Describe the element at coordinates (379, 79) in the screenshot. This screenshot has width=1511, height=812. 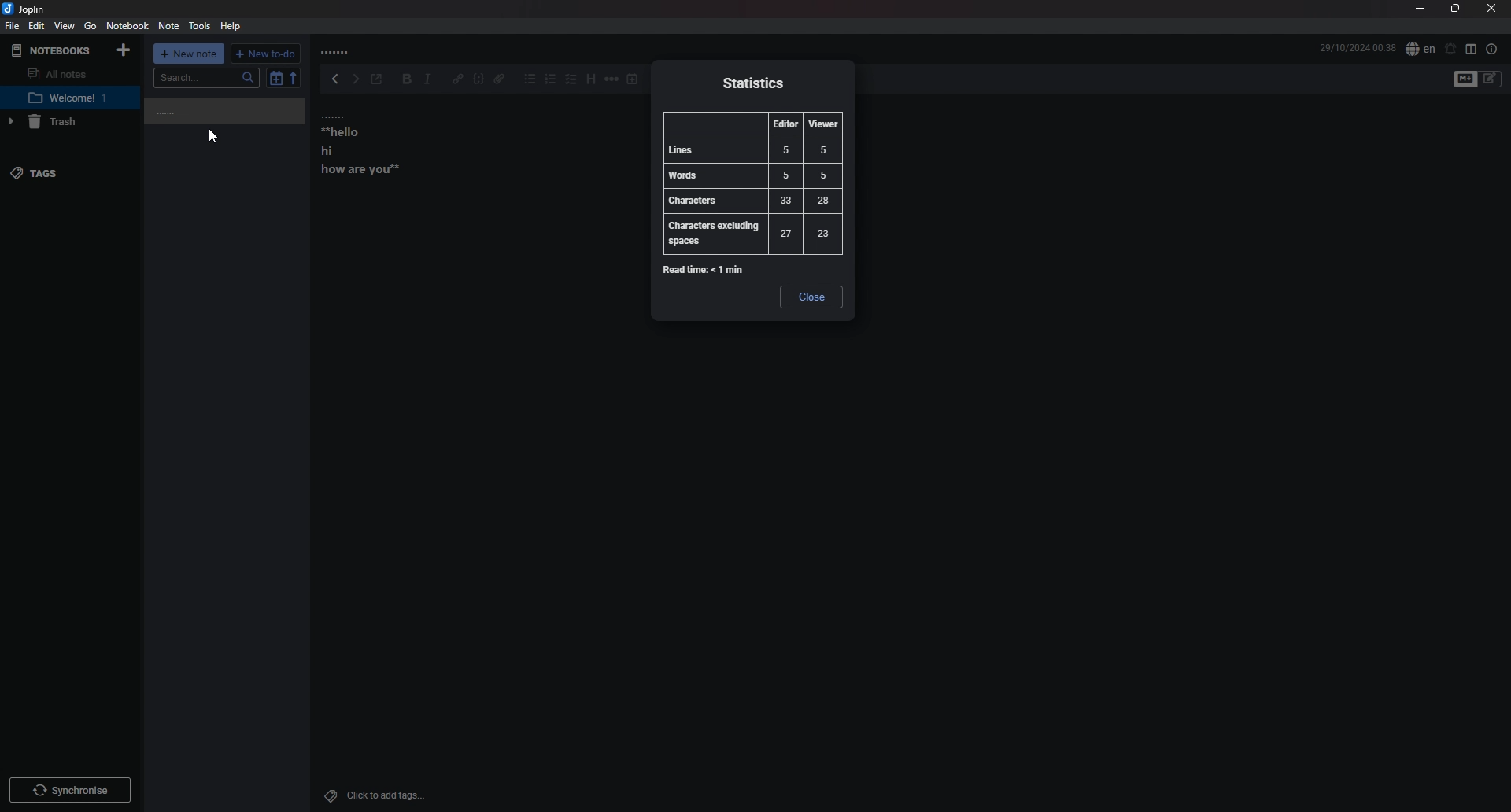
I see `Toggle external editing` at that location.